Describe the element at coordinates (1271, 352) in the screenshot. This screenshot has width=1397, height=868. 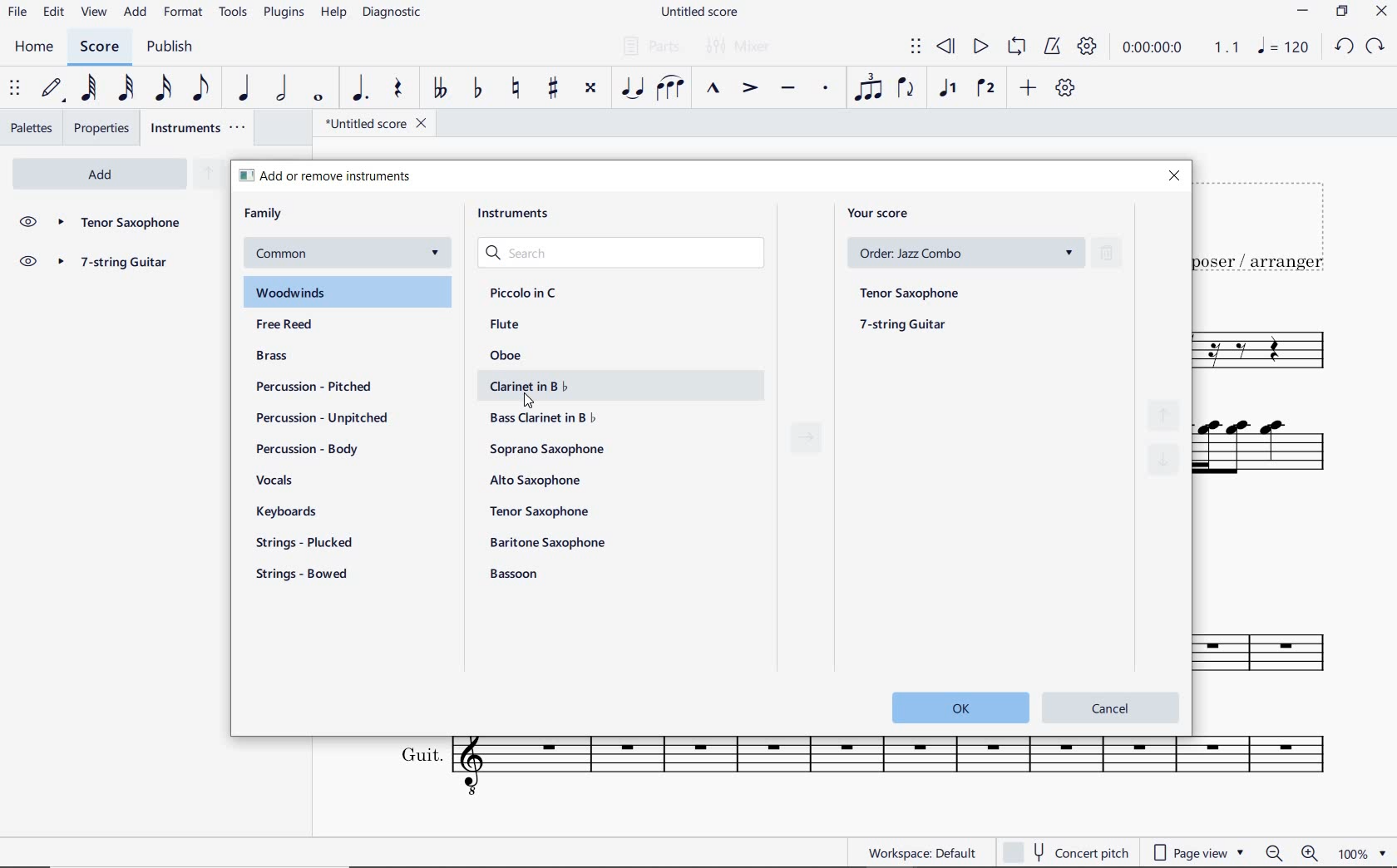
I see `INSTRUMENT: TENOR SAXOPHONE` at that location.